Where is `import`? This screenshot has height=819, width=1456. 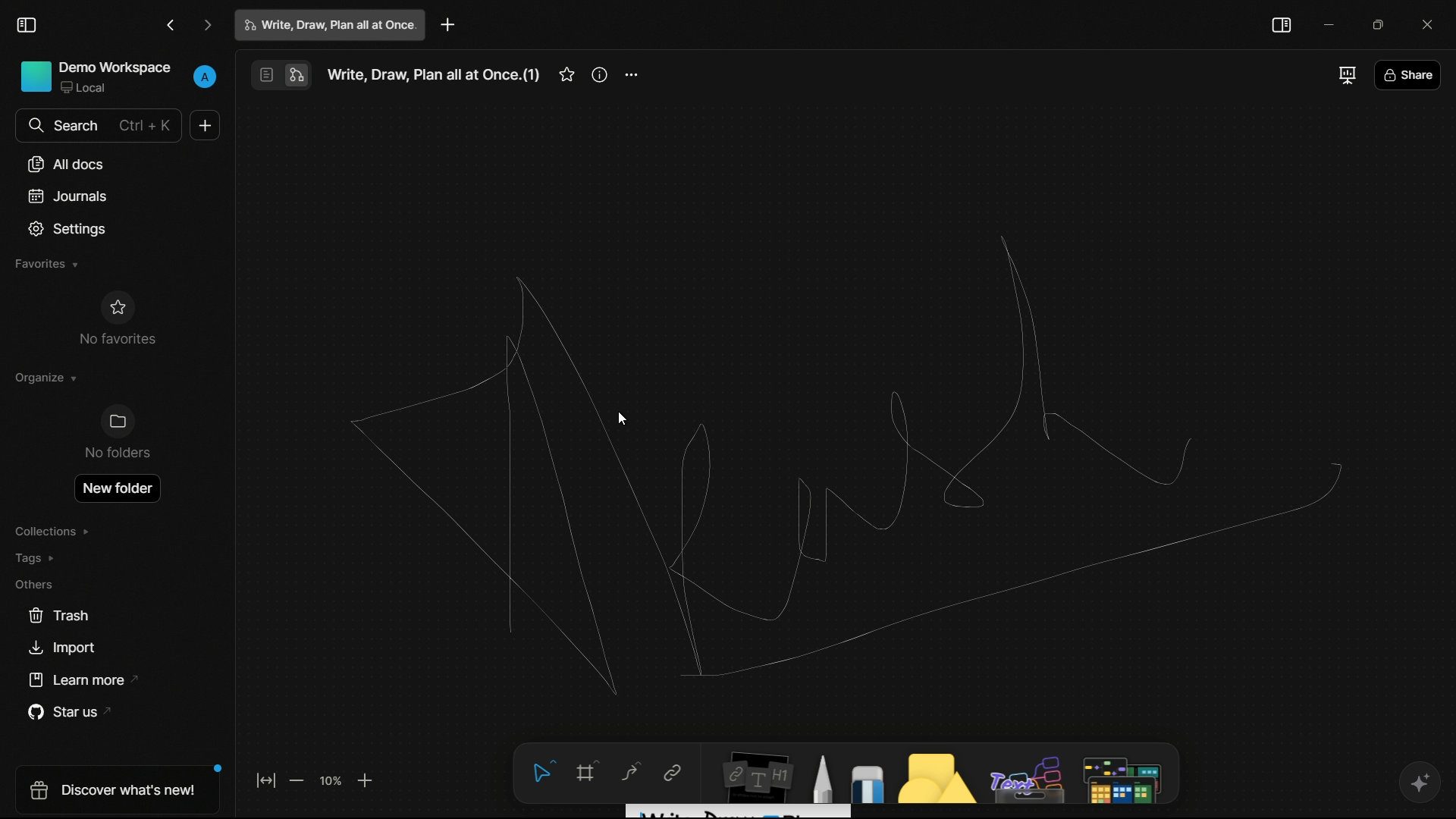
import is located at coordinates (61, 648).